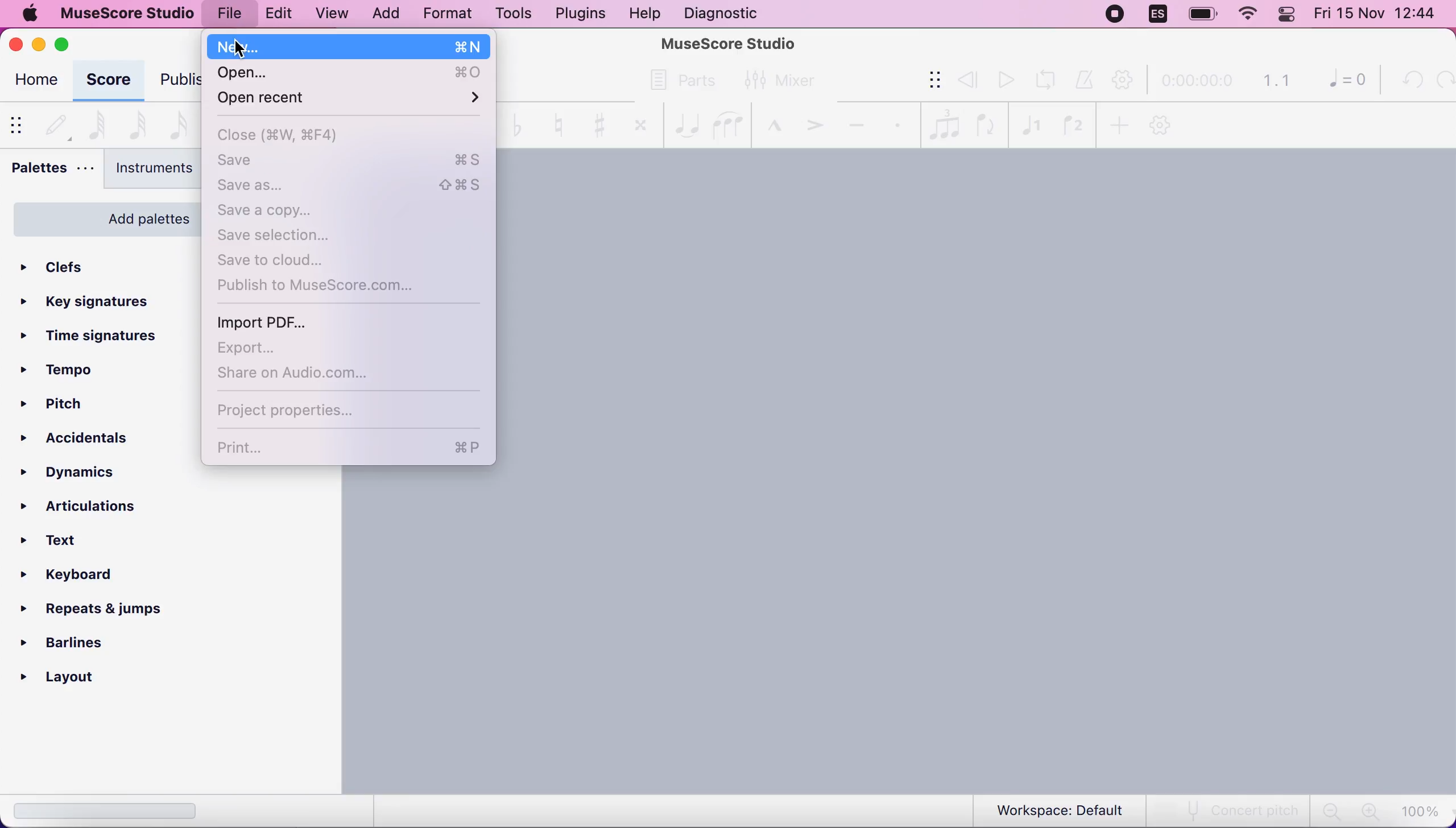  Describe the element at coordinates (88, 440) in the screenshot. I see `accidentals` at that location.